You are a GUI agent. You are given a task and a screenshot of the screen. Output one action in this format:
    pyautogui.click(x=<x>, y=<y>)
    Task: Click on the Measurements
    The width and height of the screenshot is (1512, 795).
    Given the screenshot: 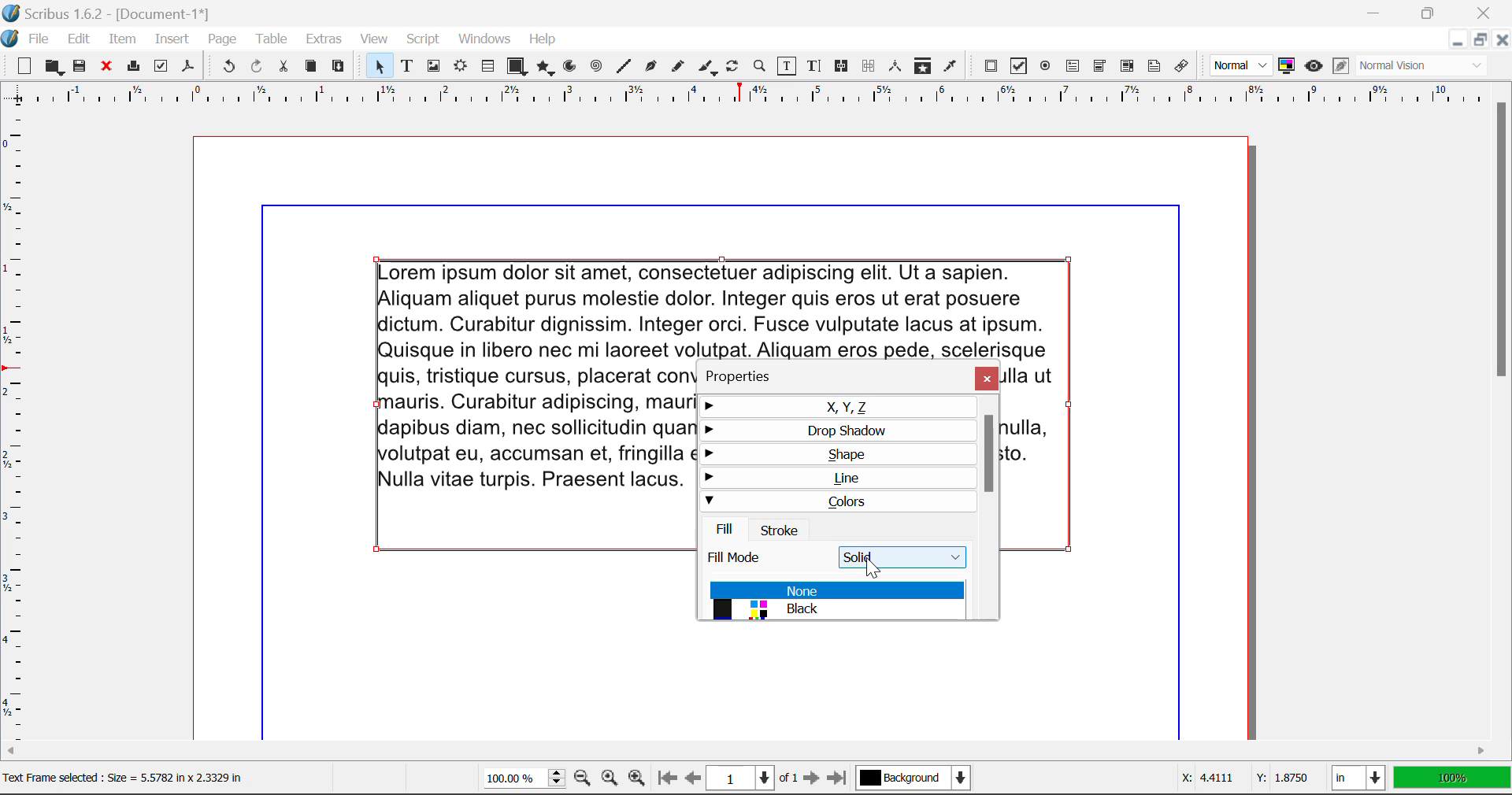 What is the action you would take?
    pyautogui.click(x=896, y=66)
    